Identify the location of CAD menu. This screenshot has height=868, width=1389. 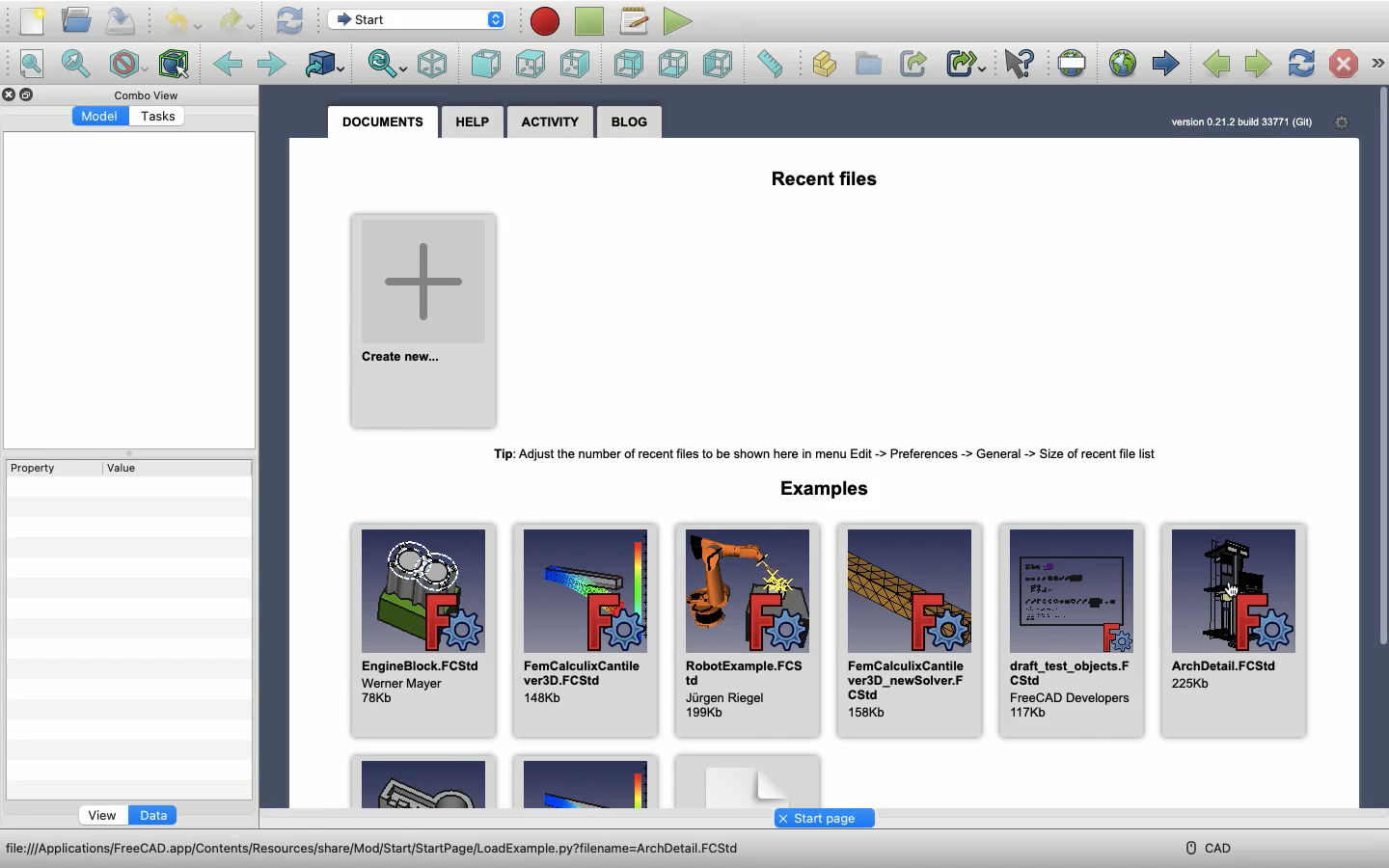
(1212, 846).